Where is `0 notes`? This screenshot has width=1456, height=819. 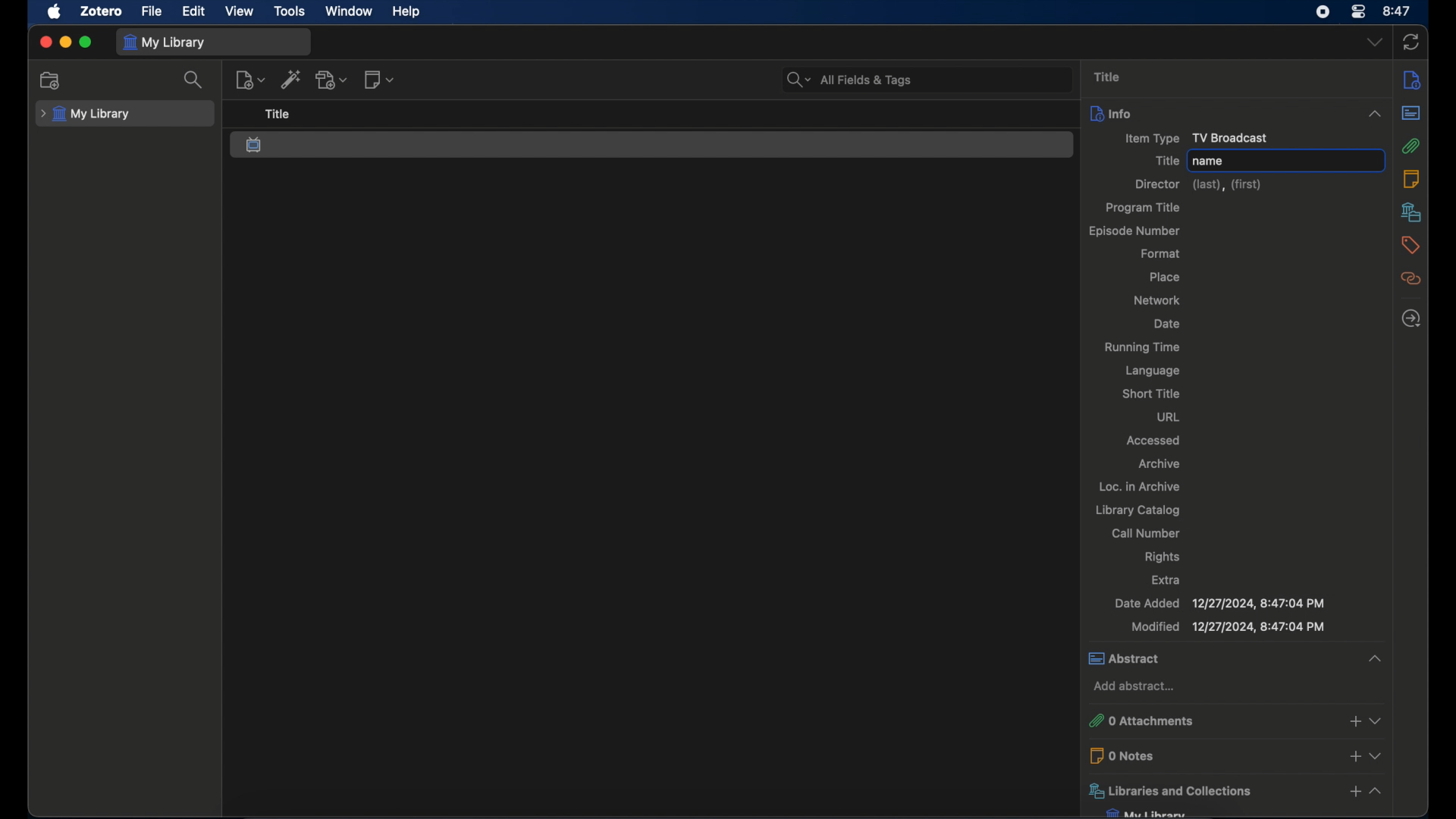
0 notes is located at coordinates (1210, 755).